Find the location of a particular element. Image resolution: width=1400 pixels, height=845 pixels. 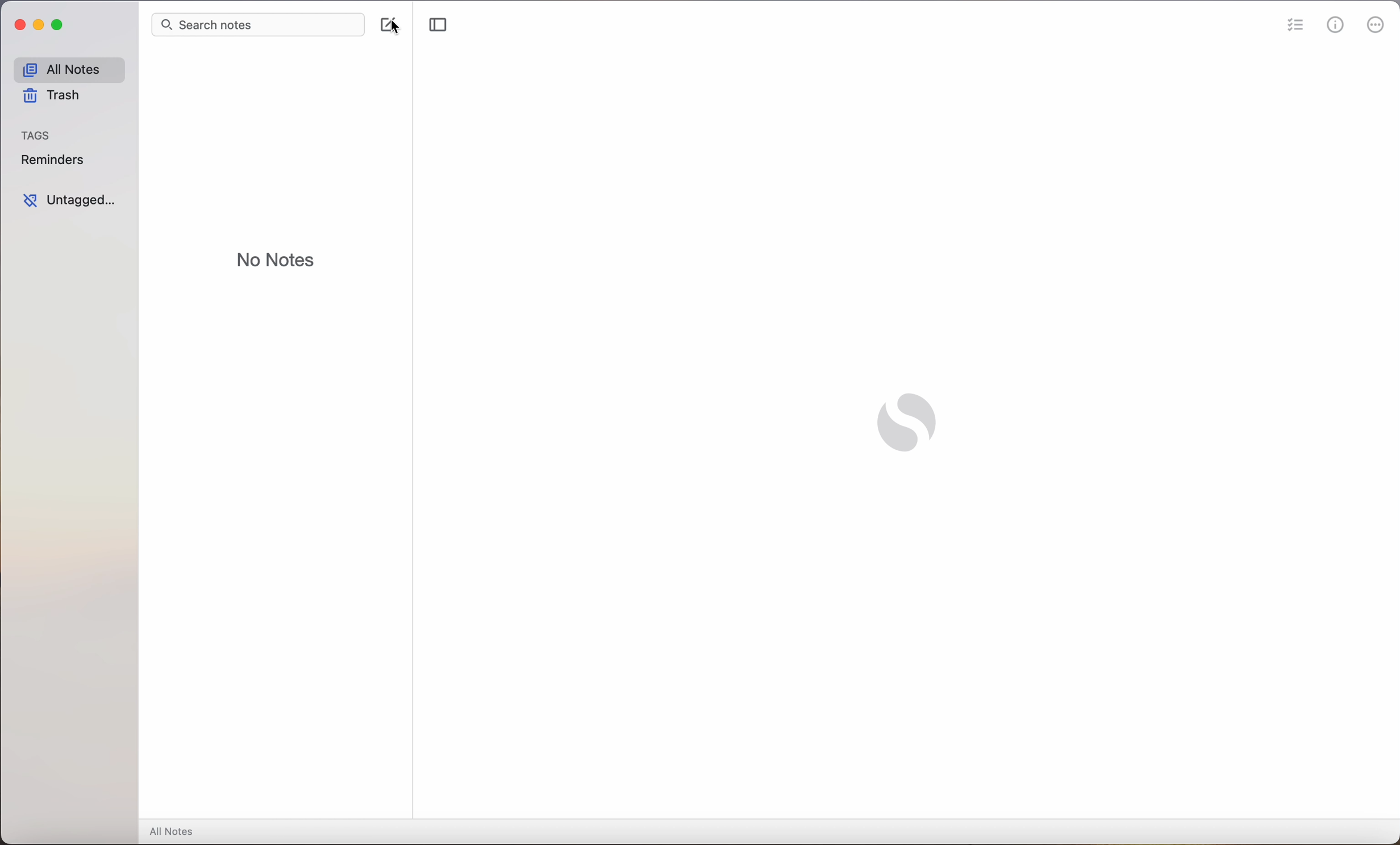

more options is located at coordinates (1374, 24).